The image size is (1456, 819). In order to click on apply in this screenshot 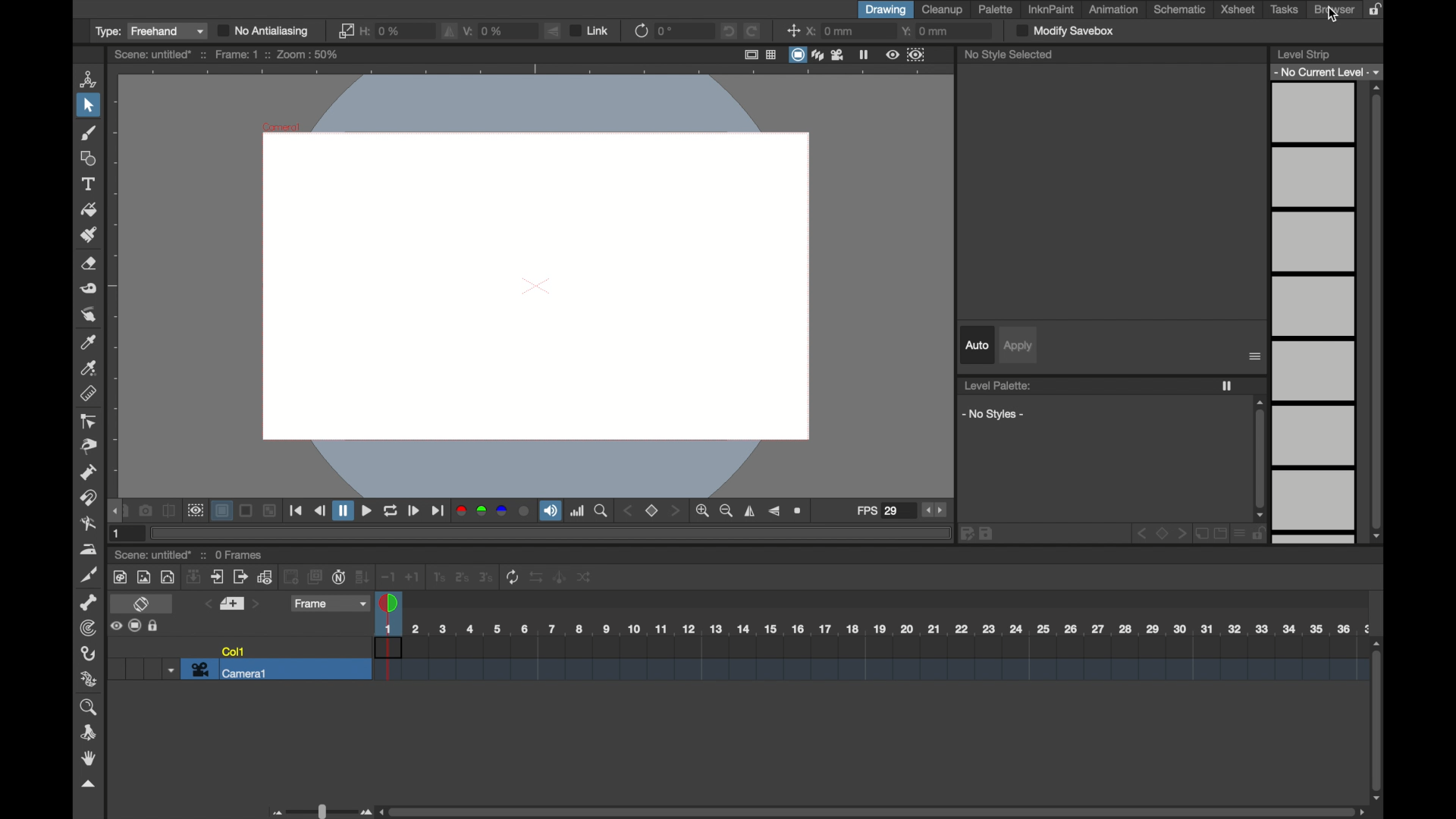, I will do `click(1018, 346)`.